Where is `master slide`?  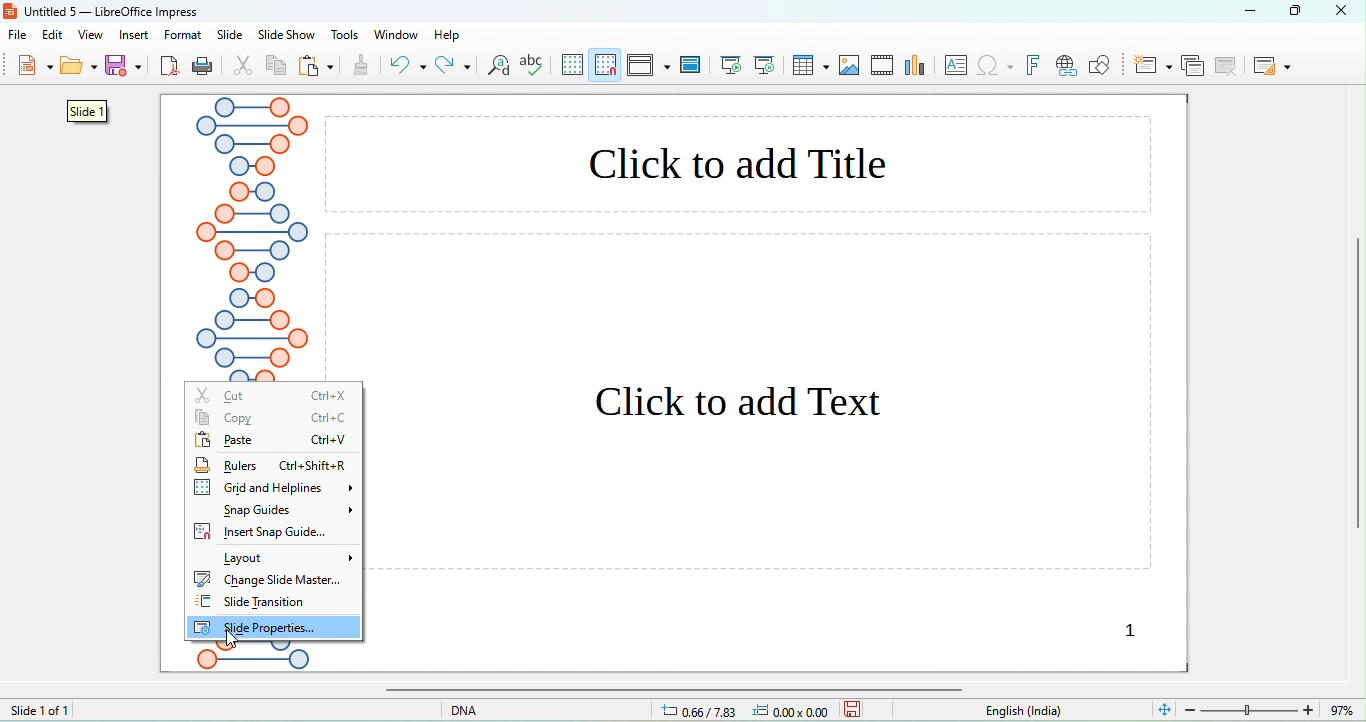 master slide is located at coordinates (692, 63).